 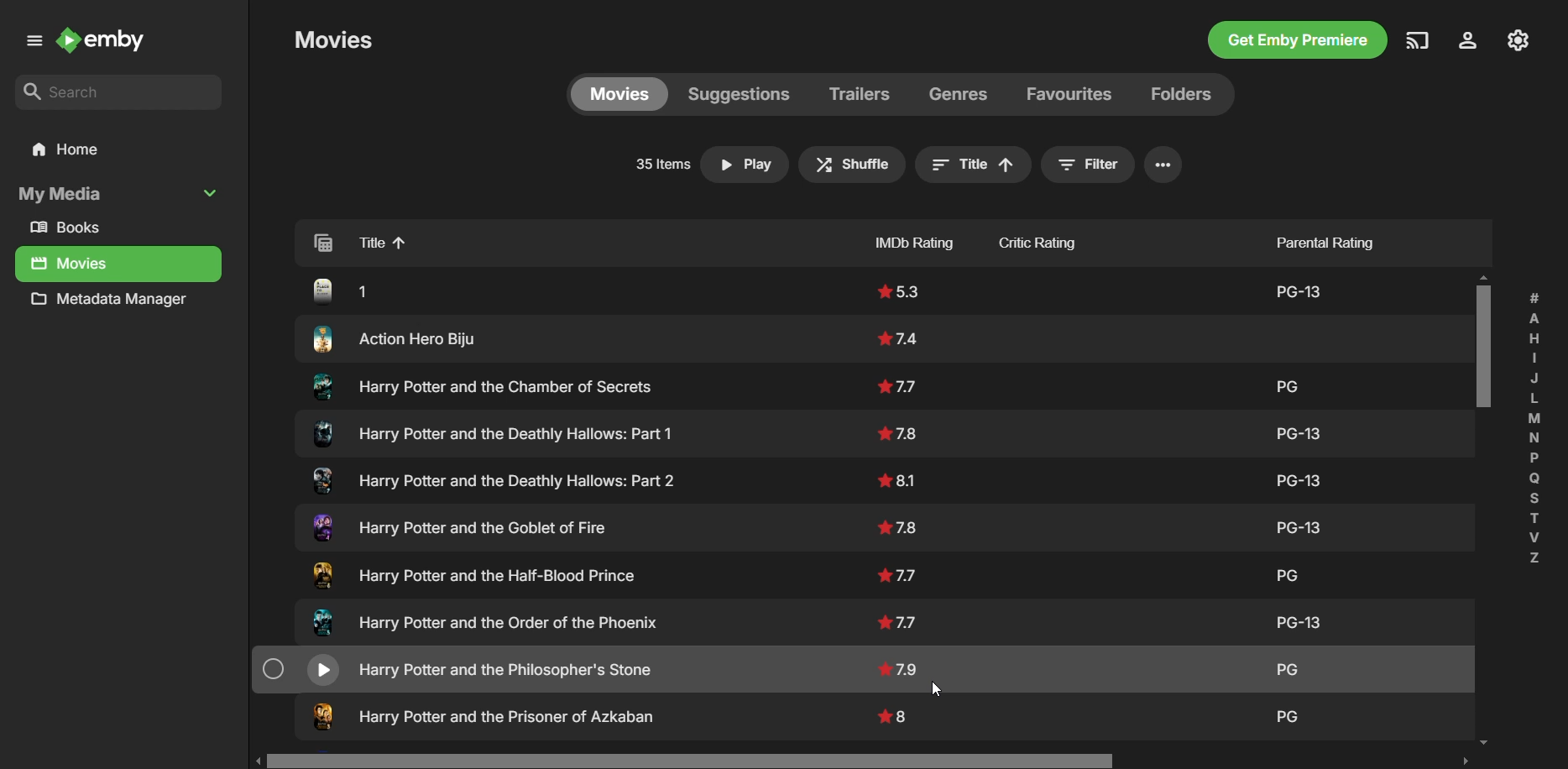 What do you see at coordinates (489, 480) in the screenshot?
I see `` at bounding box center [489, 480].